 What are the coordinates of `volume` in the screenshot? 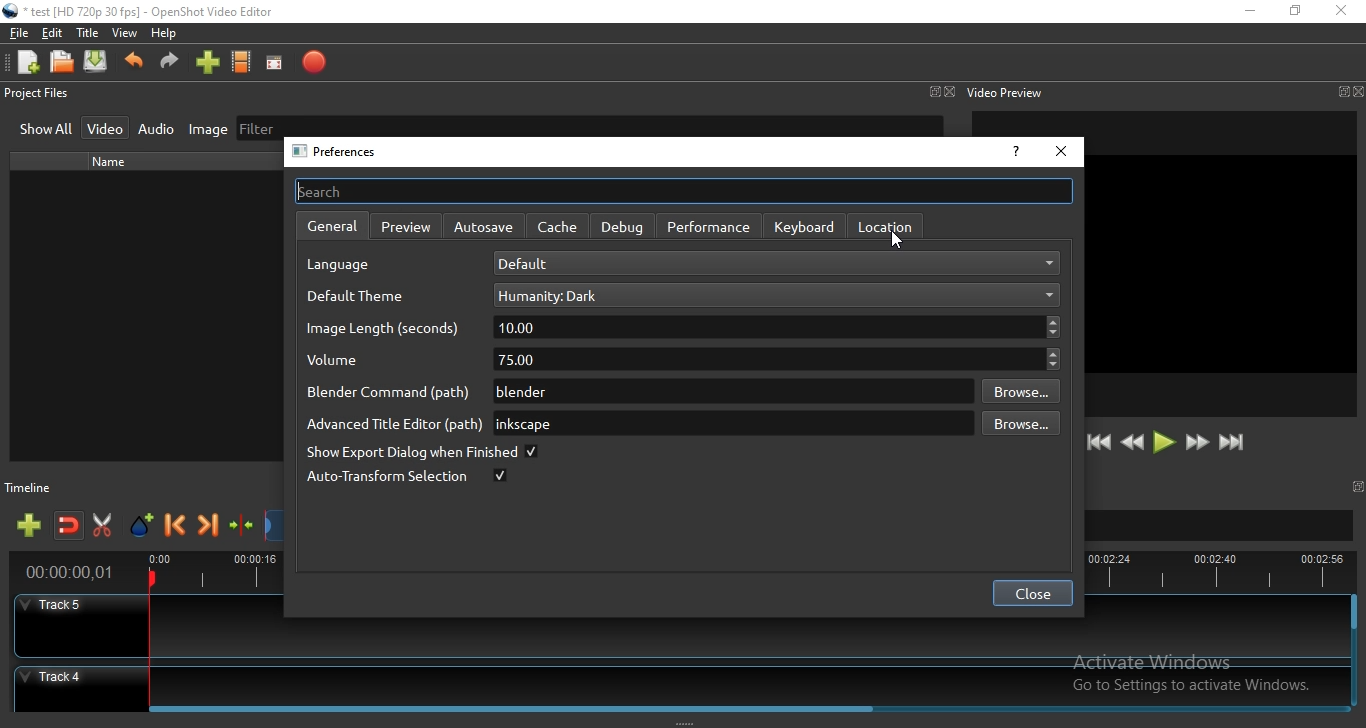 It's located at (350, 363).